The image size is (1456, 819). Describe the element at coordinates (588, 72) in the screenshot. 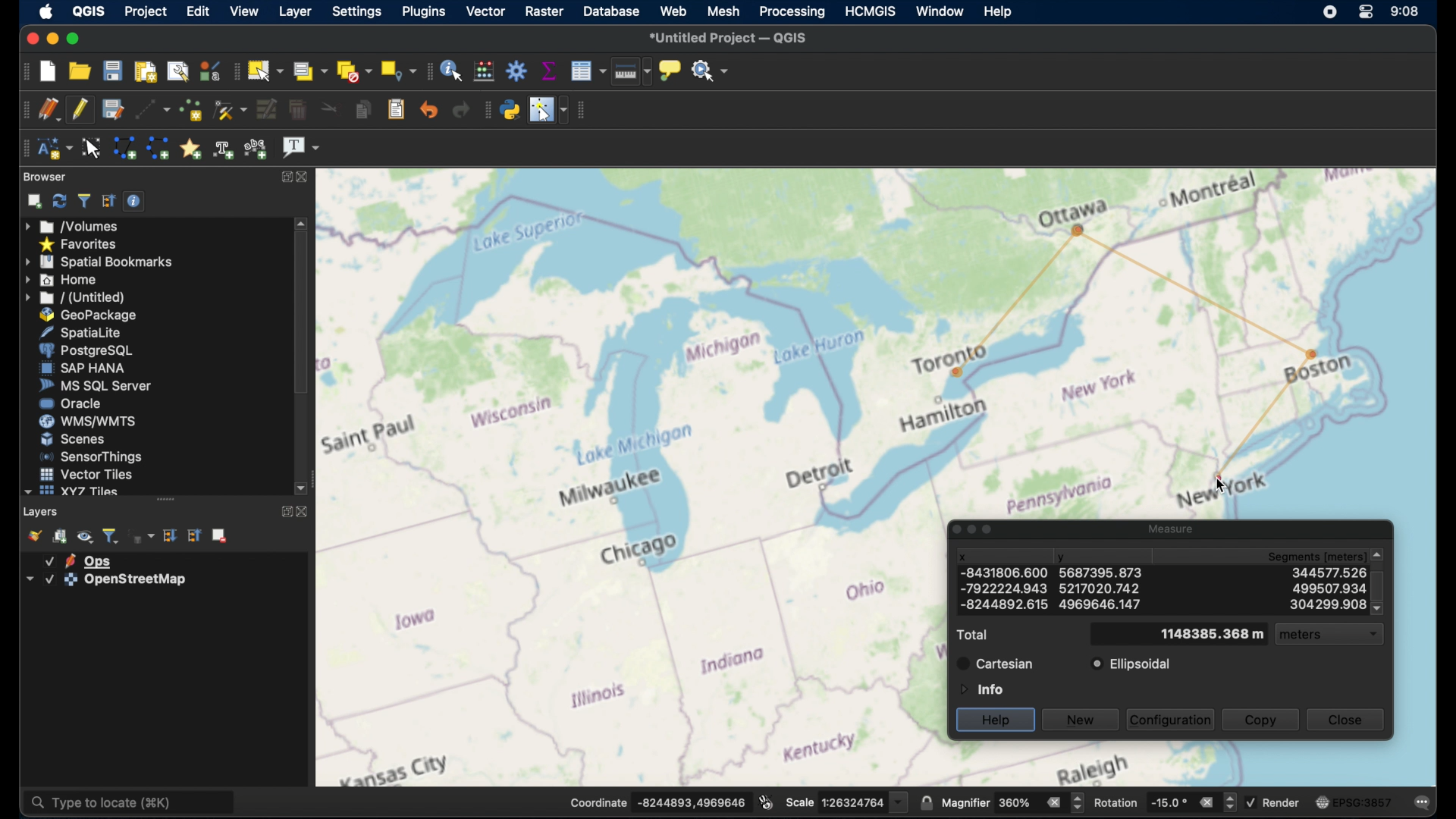

I see `open attribute table` at that location.